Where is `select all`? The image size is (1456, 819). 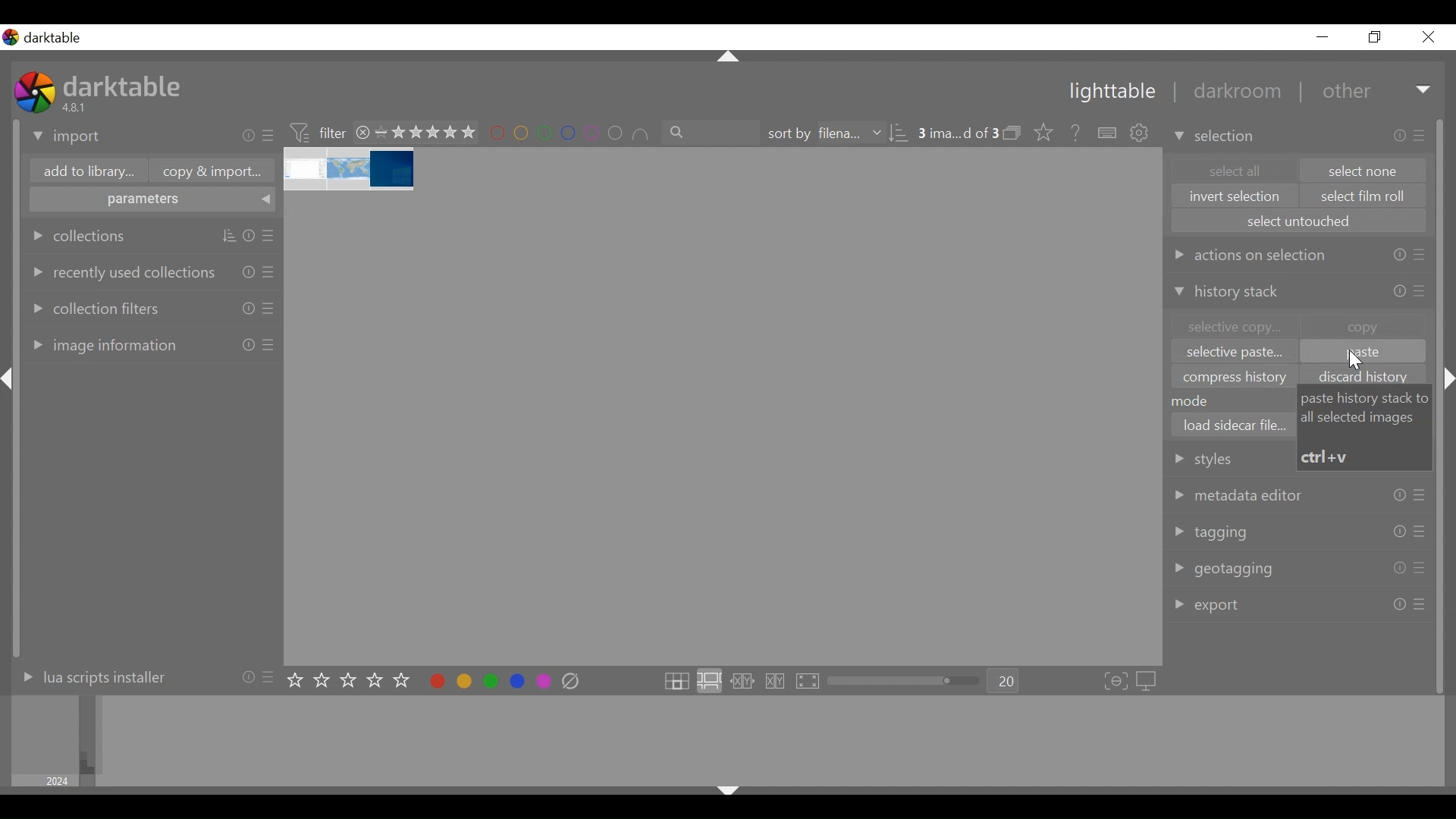
select all is located at coordinates (1232, 170).